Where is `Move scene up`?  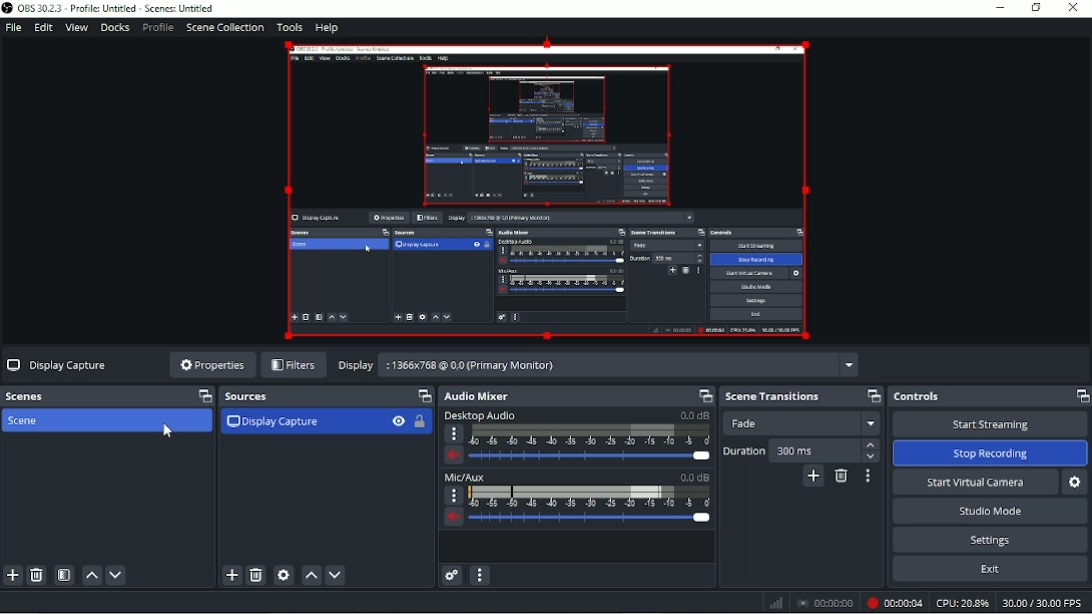 Move scene up is located at coordinates (92, 576).